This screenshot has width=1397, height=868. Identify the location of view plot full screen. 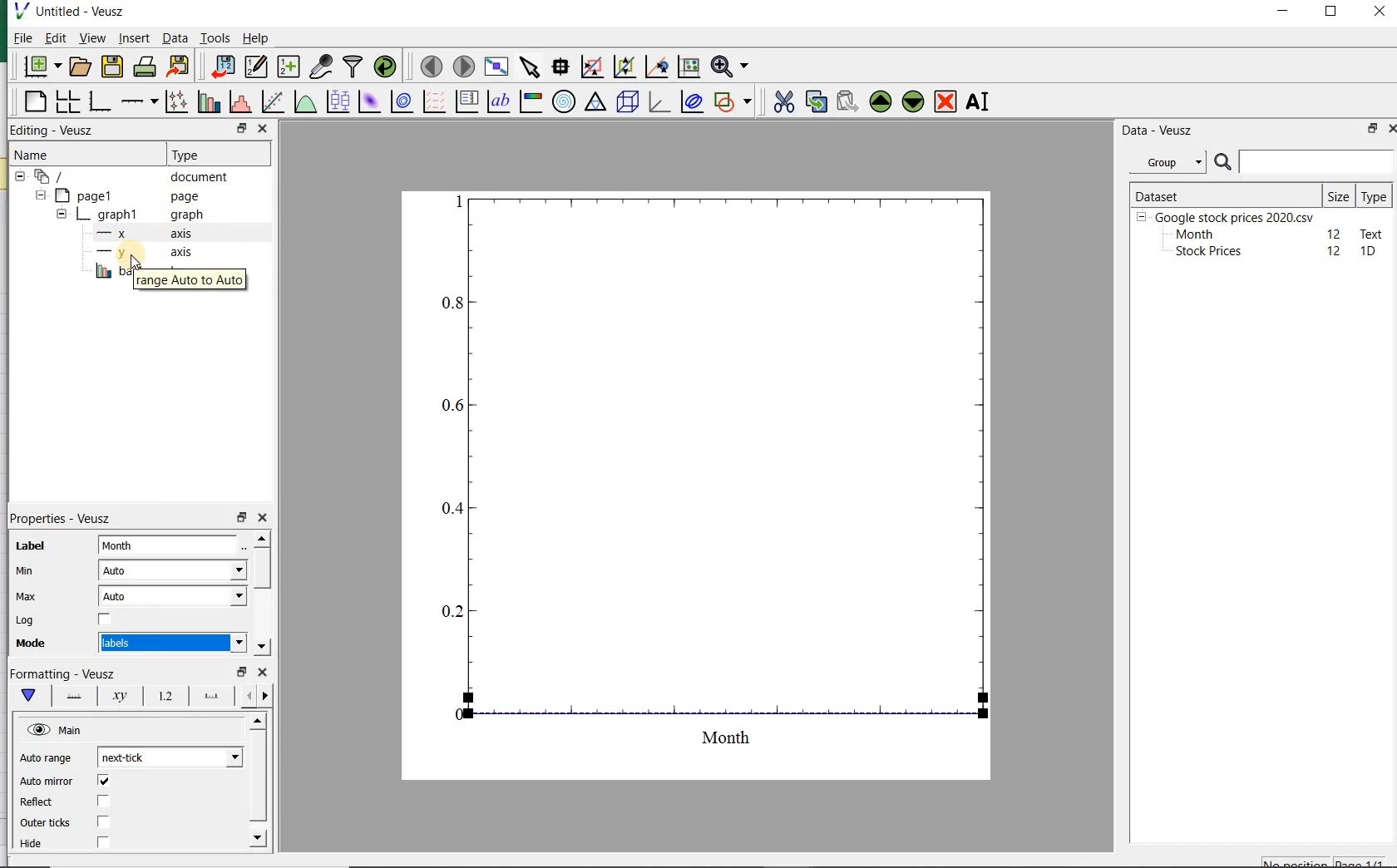
(496, 67).